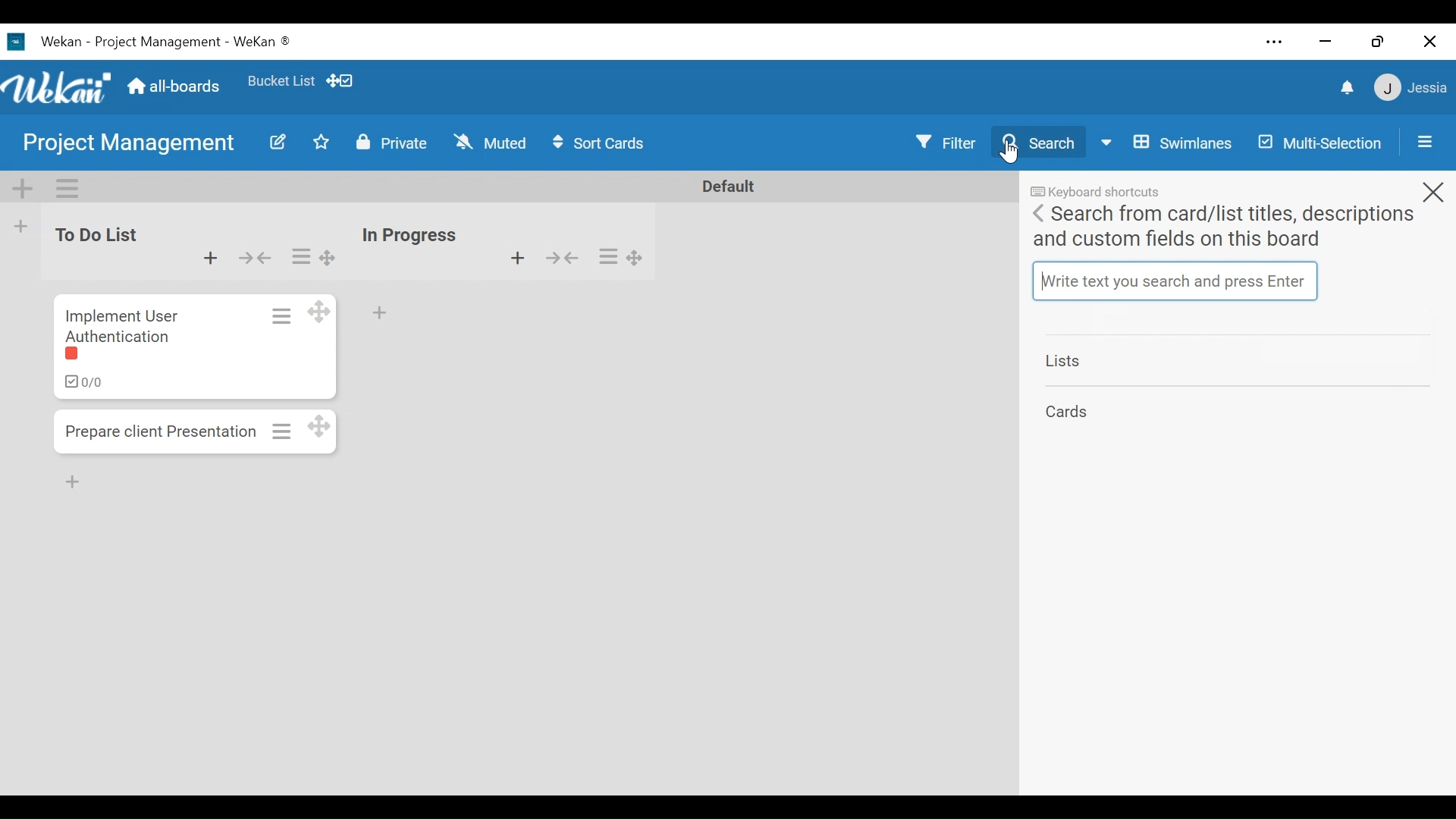 This screenshot has height=819, width=1456. Describe the element at coordinates (207, 255) in the screenshot. I see `Add card to top of the list` at that location.